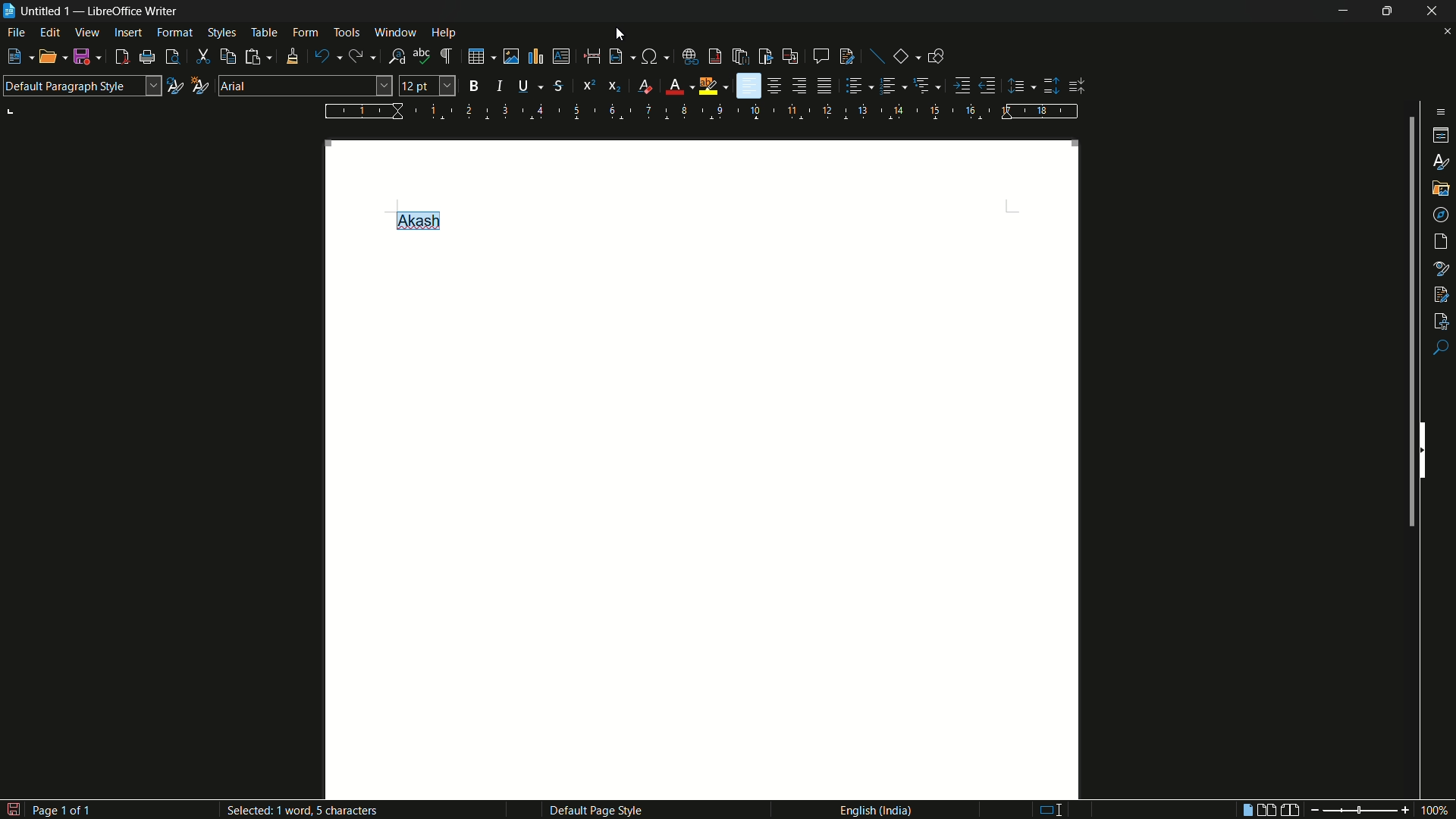  What do you see at coordinates (557, 86) in the screenshot?
I see `strikethrough` at bounding box center [557, 86].